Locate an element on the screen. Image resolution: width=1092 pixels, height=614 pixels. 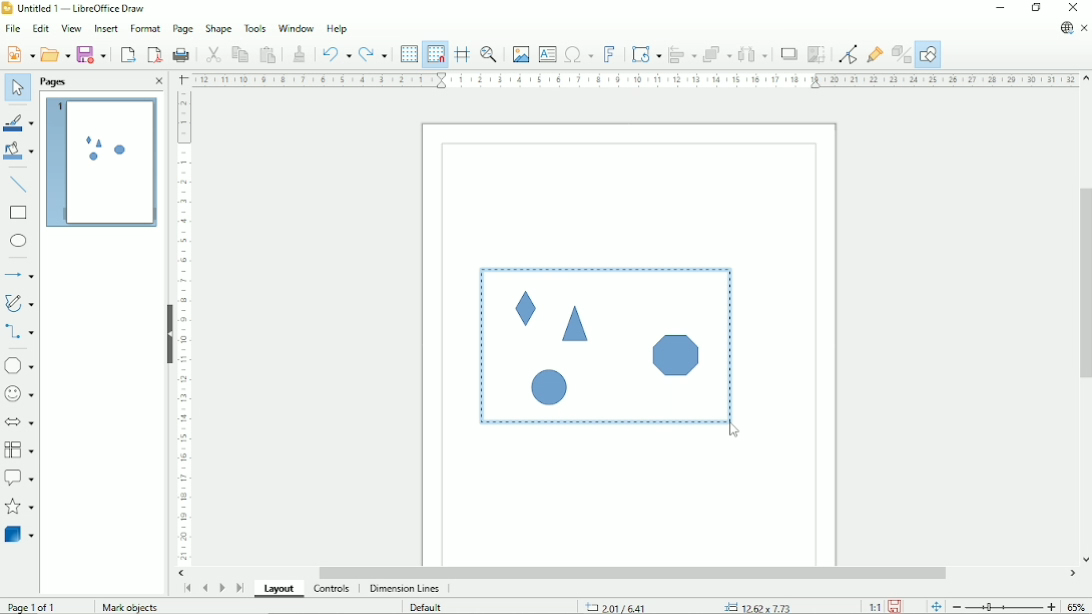
Horizontal scale is located at coordinates (634, 79).